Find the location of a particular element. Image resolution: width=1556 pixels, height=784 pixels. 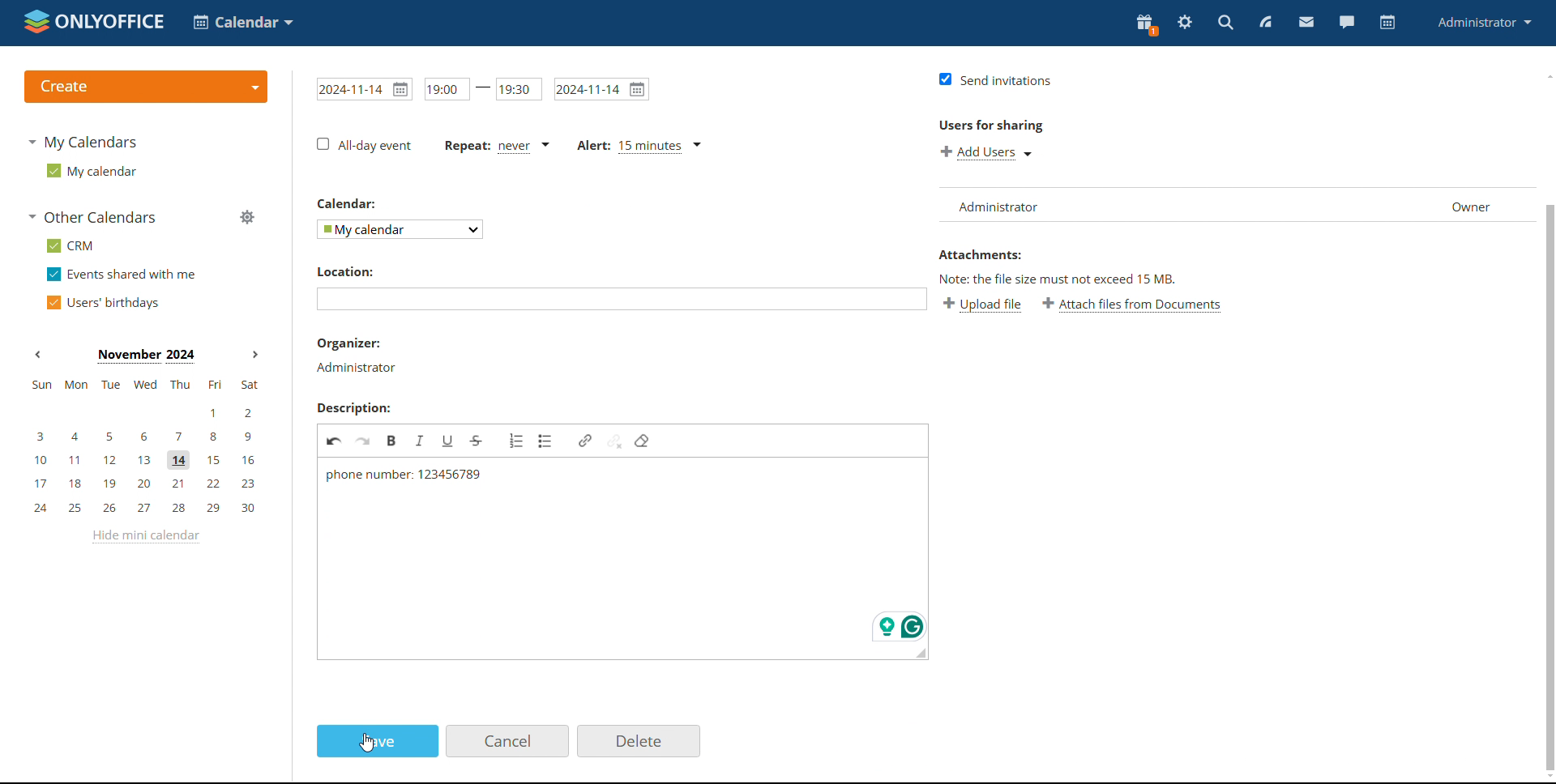

users for sharing is located at coordinates (992, 127).